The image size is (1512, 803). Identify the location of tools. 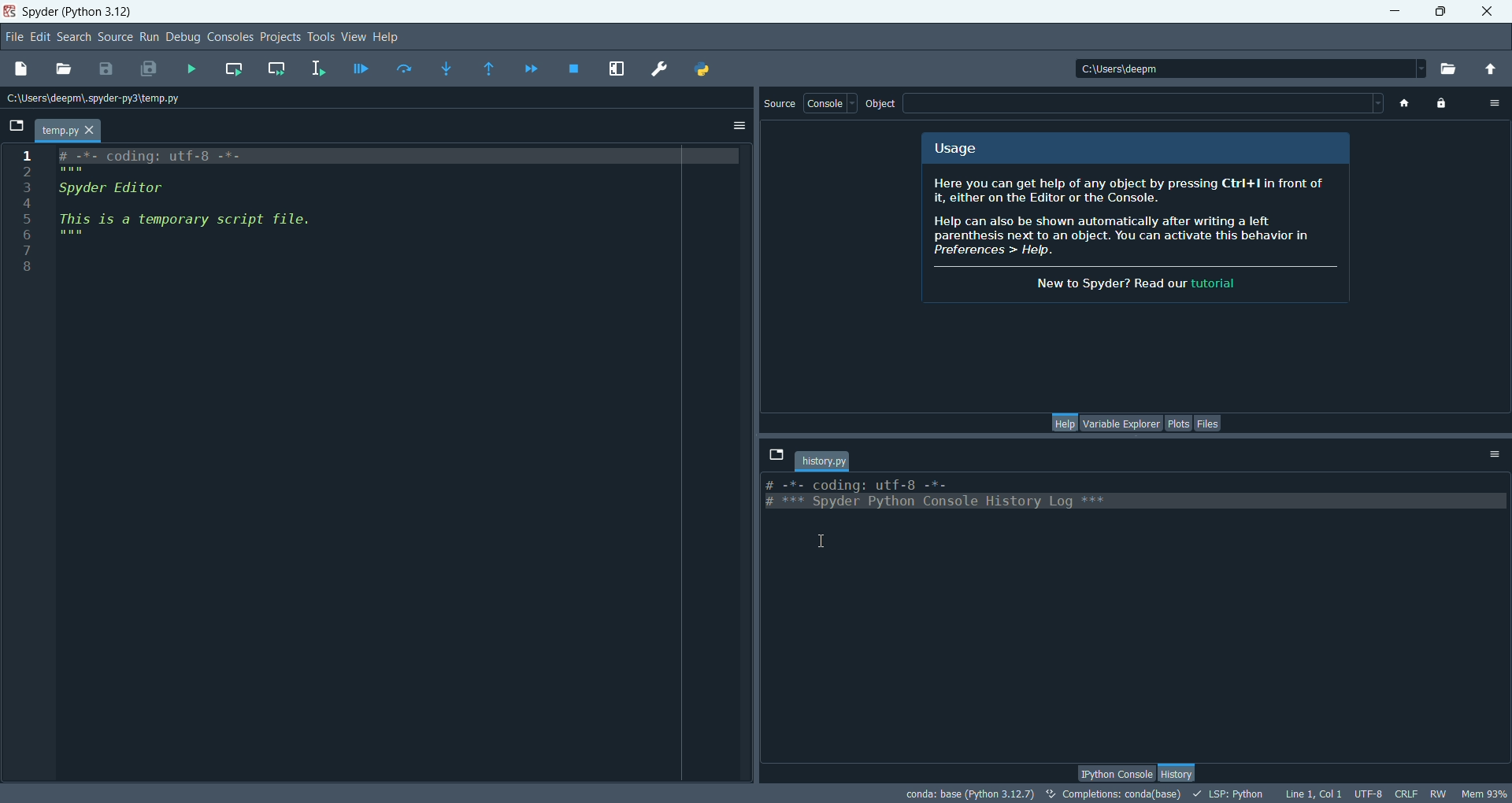
(320, 38).